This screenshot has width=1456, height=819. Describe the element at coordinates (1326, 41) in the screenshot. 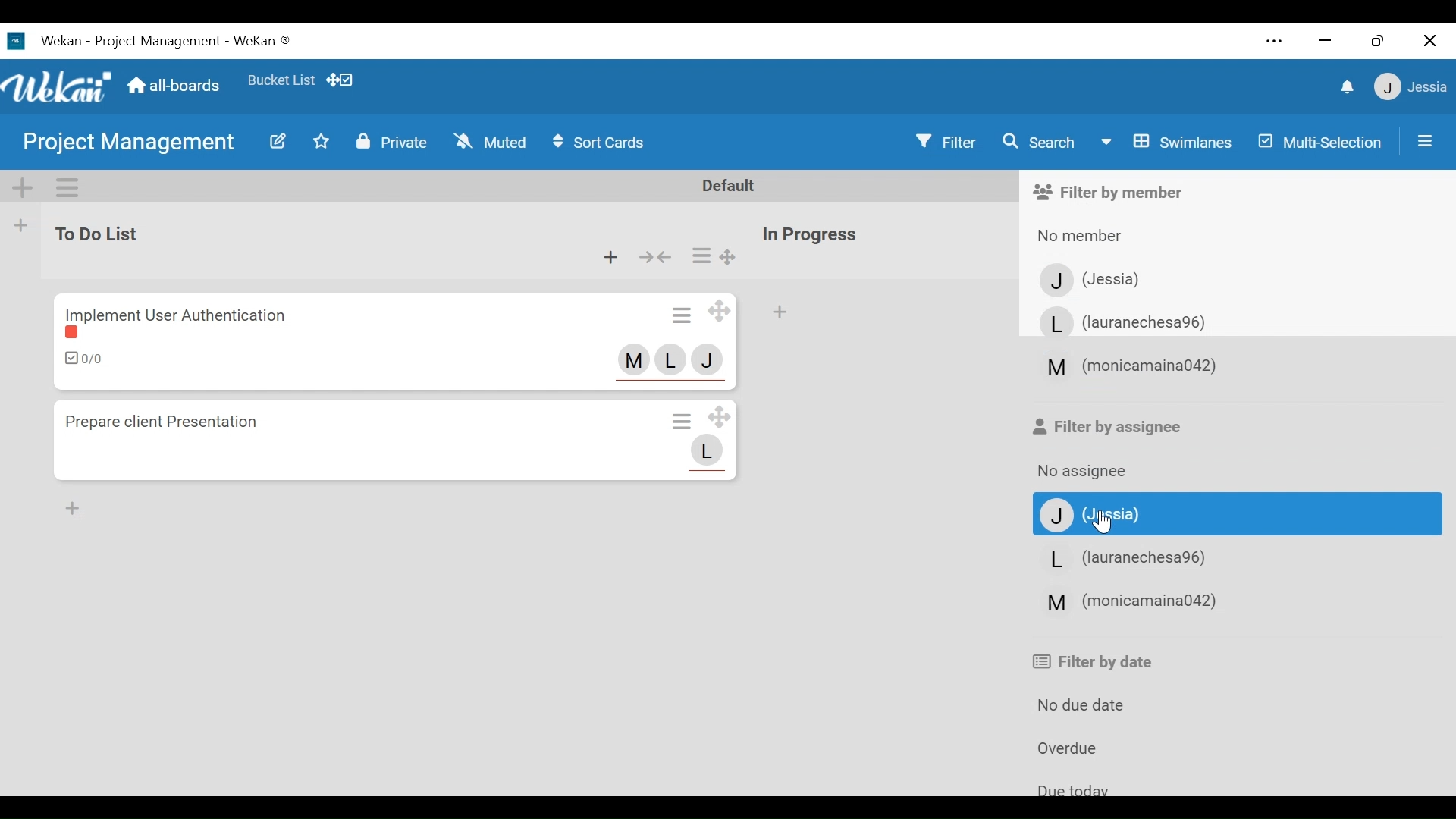

I see `minimize` at that location.